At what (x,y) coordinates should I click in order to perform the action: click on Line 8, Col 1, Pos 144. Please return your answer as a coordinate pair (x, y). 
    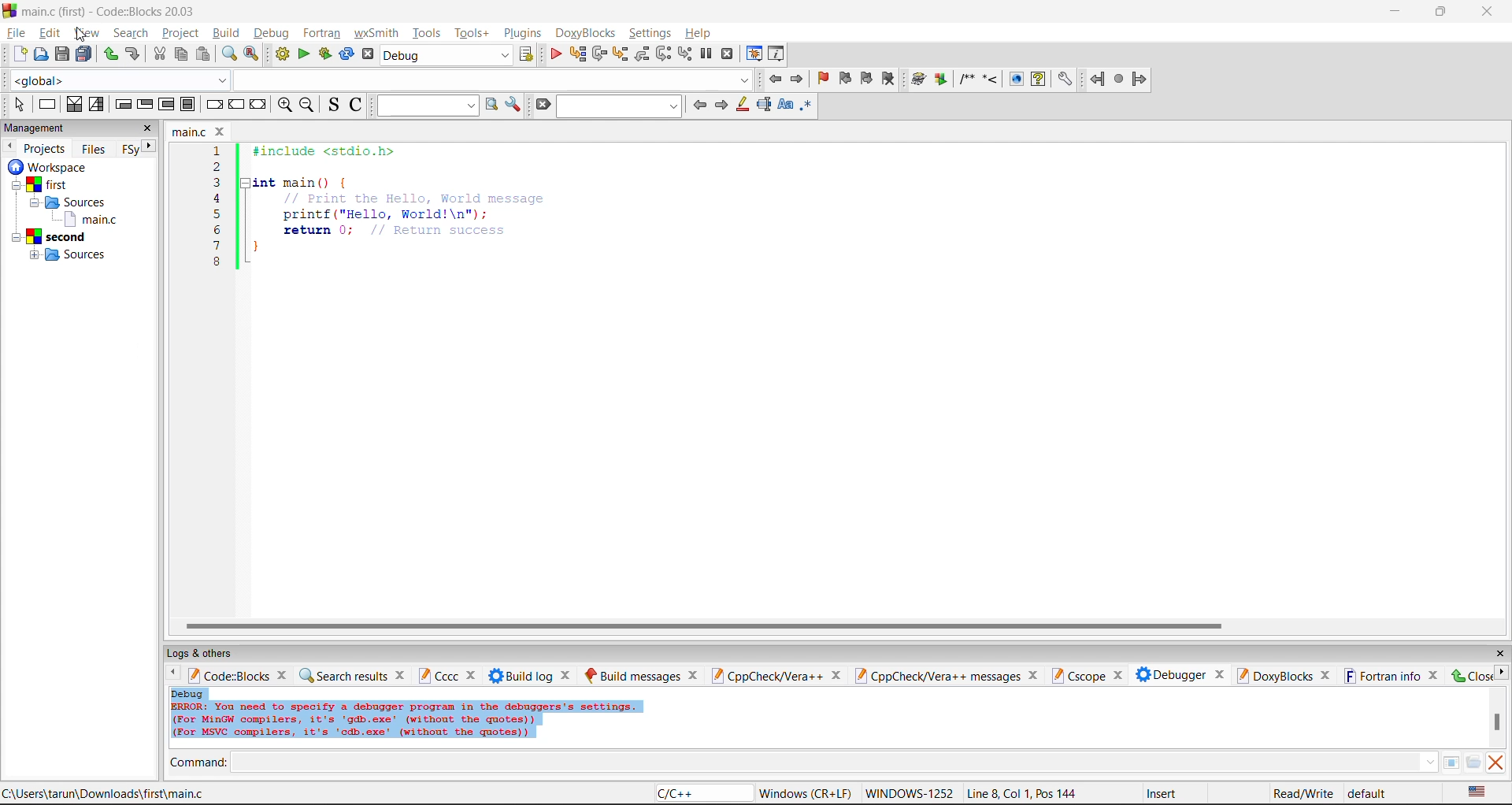
    Looking at the image, I should click on (1025, 793).